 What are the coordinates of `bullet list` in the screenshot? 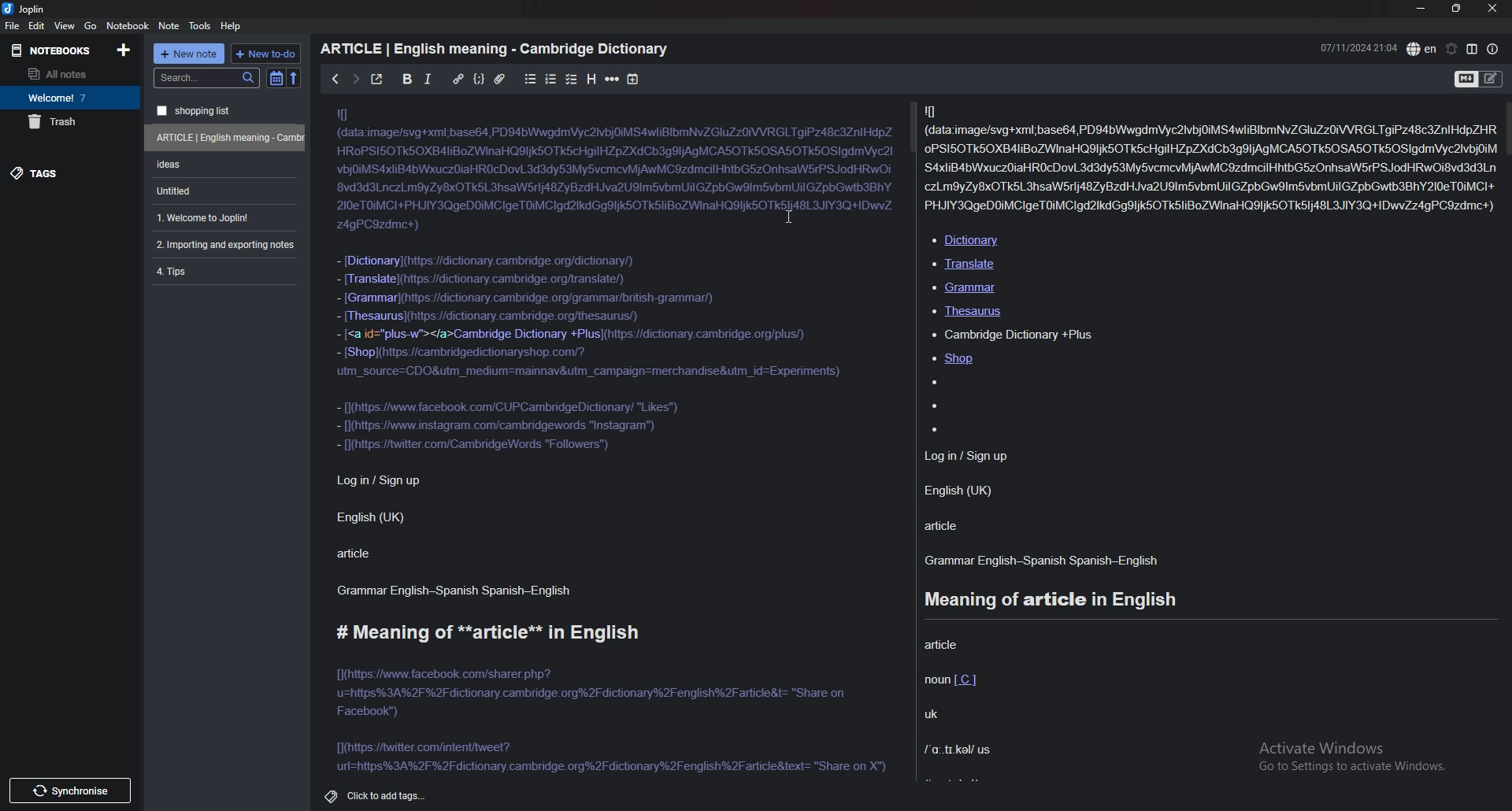 It's located at (531, 80).